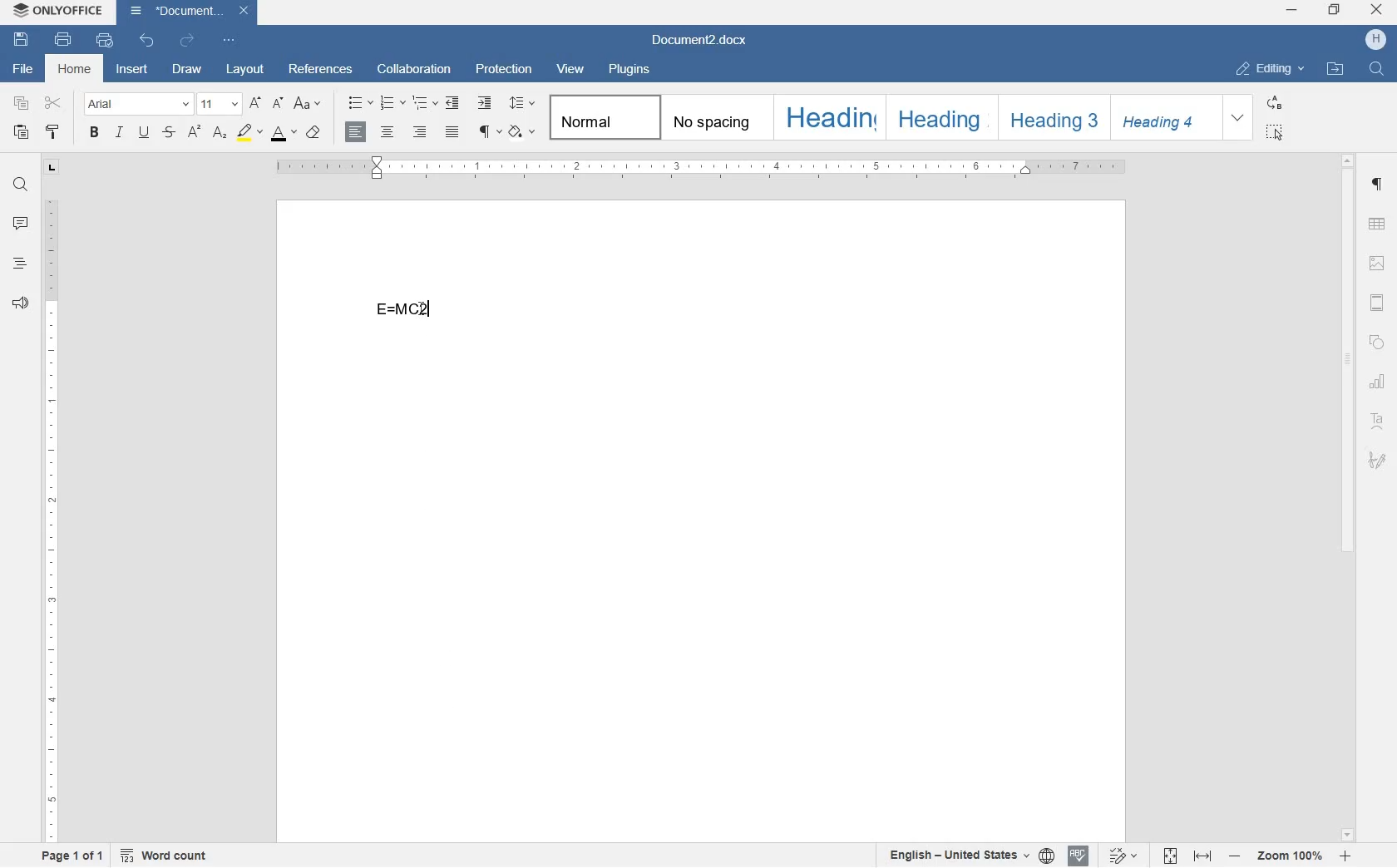 This screenshot has width=1397, height=868. What do you see at coordinates (194, 131) in the screenshot?
I see `superscript` at bounding box center [194, 131].